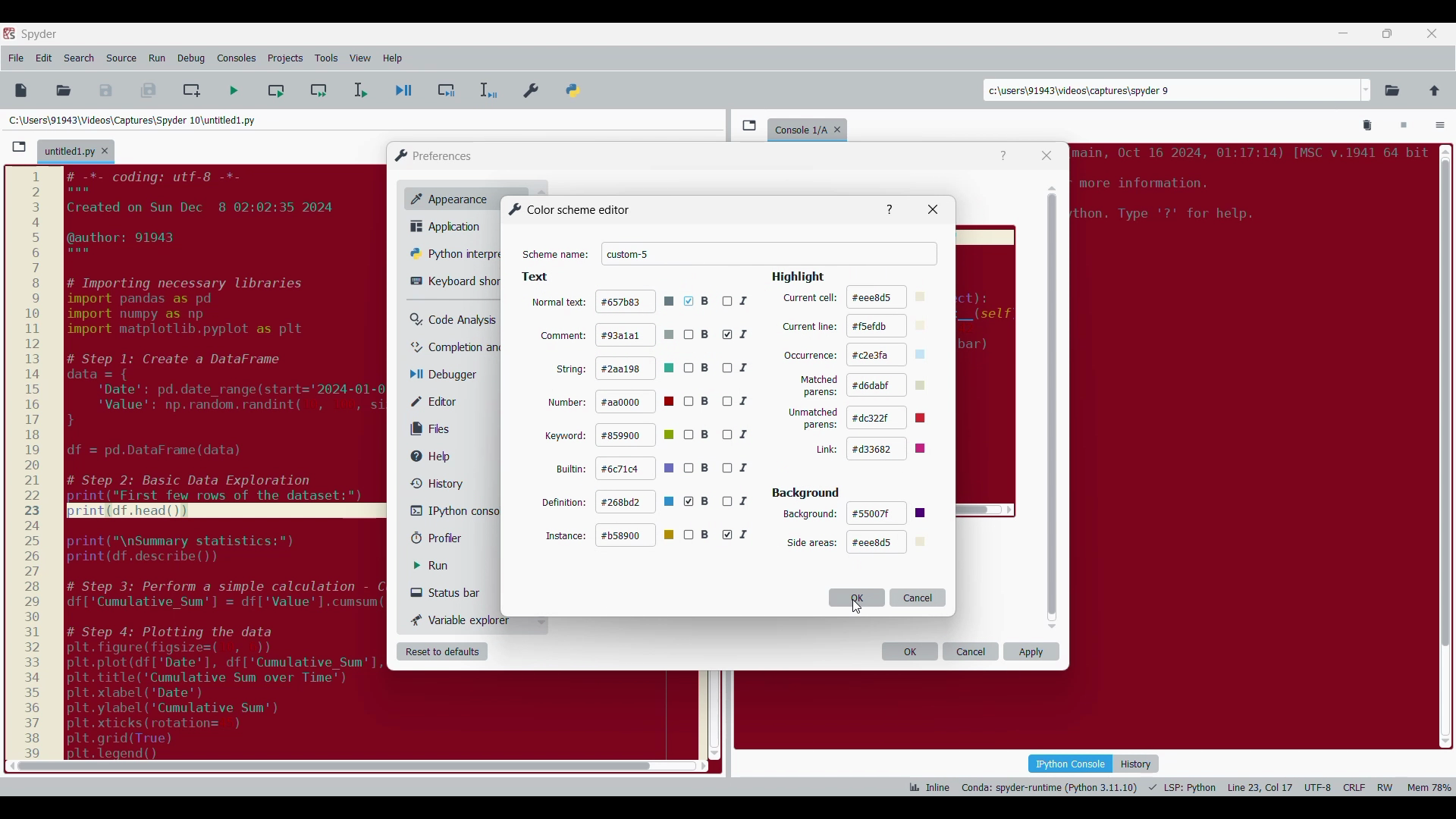  I want to click on #6c71c4, so click(636, 469).